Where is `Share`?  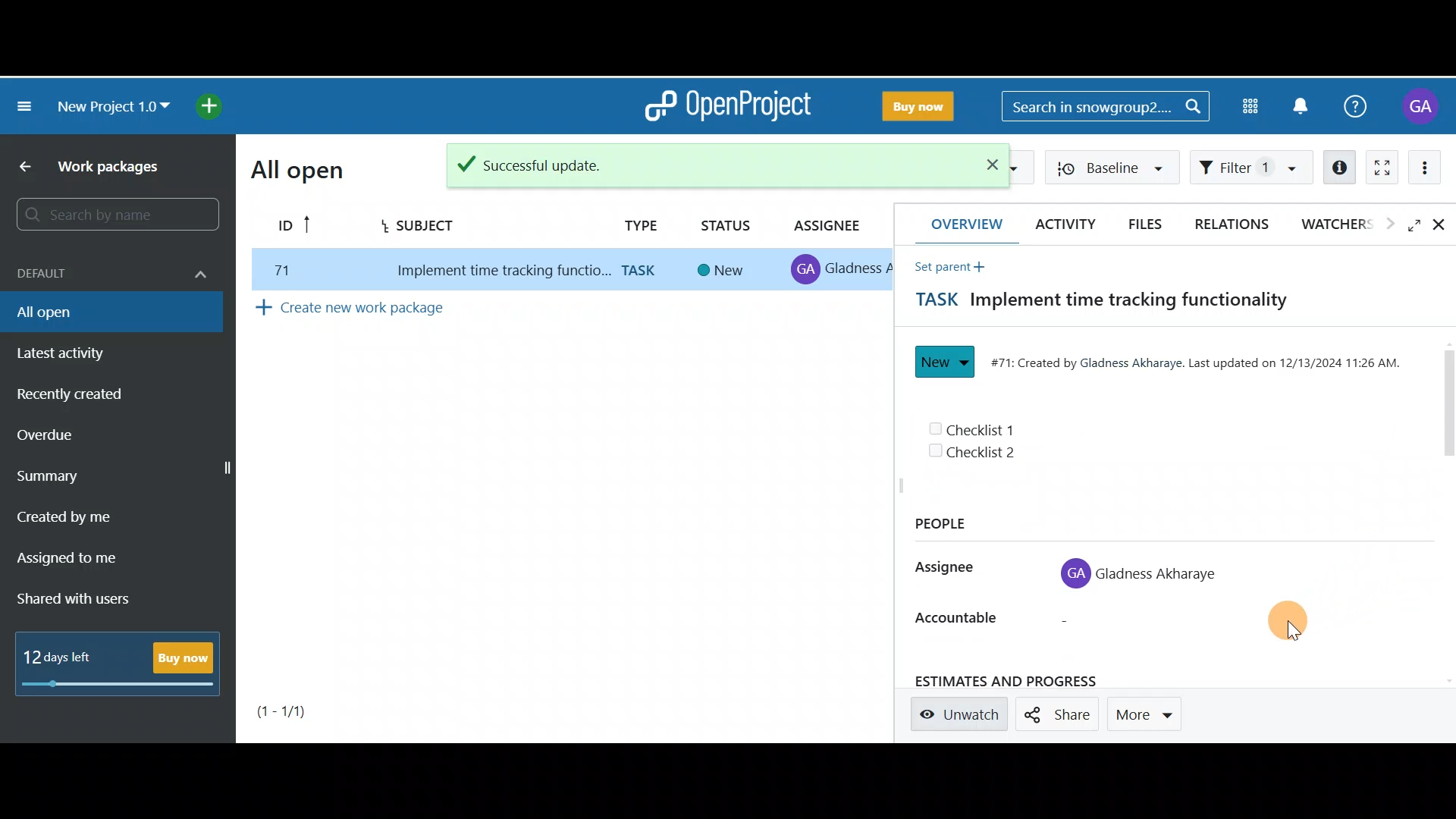 Share is located at coordinates (1059, 714).